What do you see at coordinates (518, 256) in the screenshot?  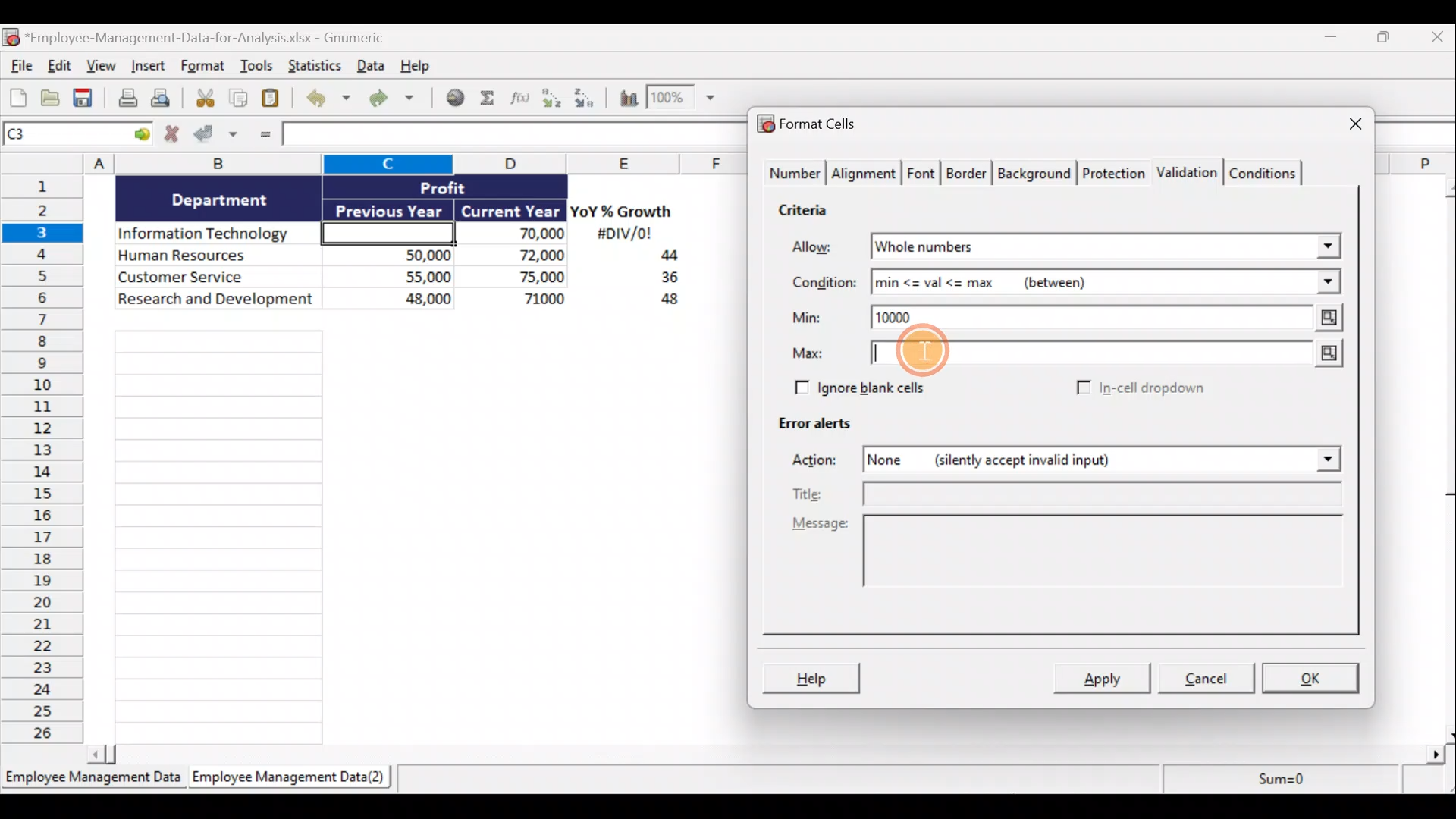 I see `72,000` at bounding box center [518, 256].